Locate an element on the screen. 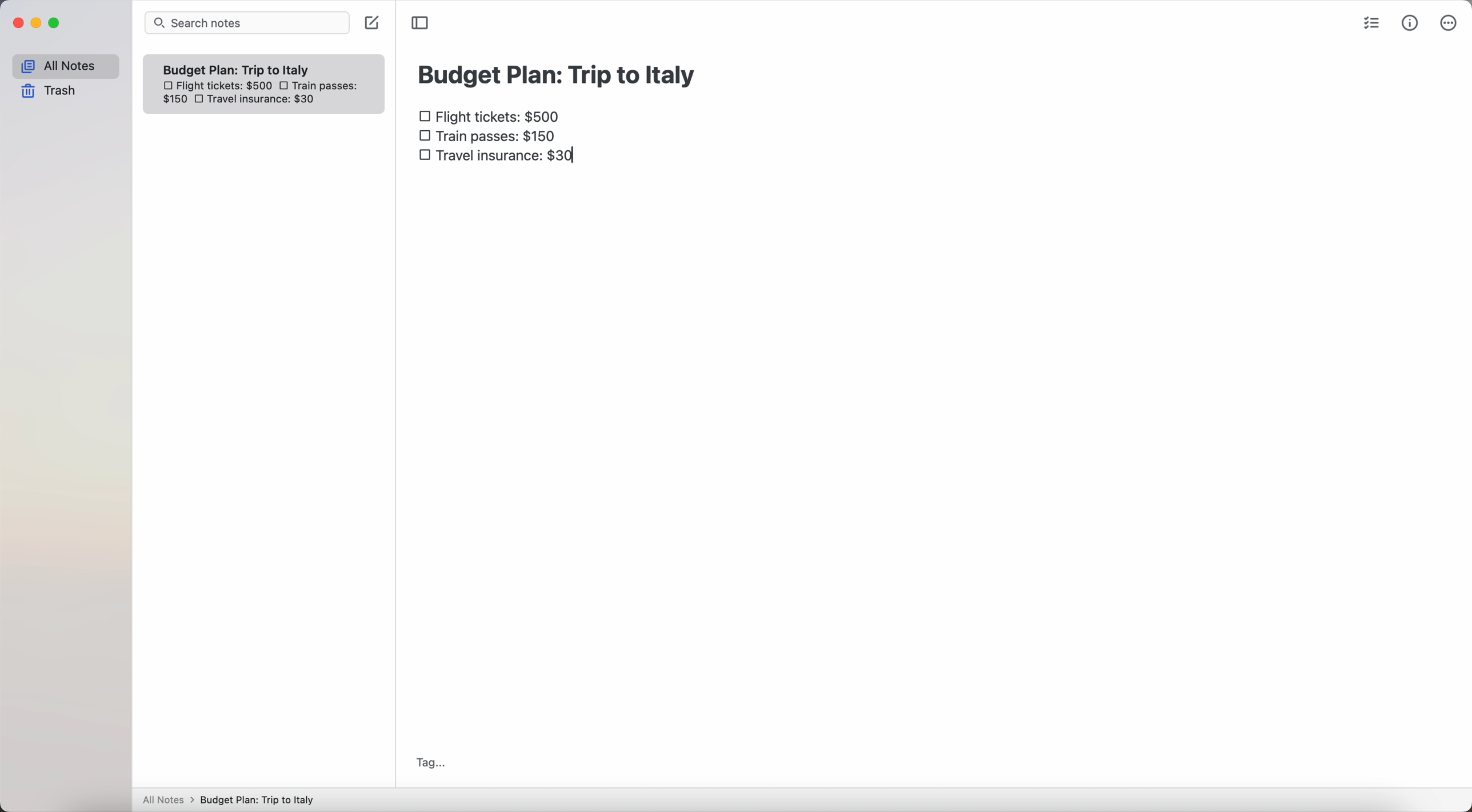 The height and width of the screenshot is (812, 1472). close Simplenote is located at coordinates (18, 23).